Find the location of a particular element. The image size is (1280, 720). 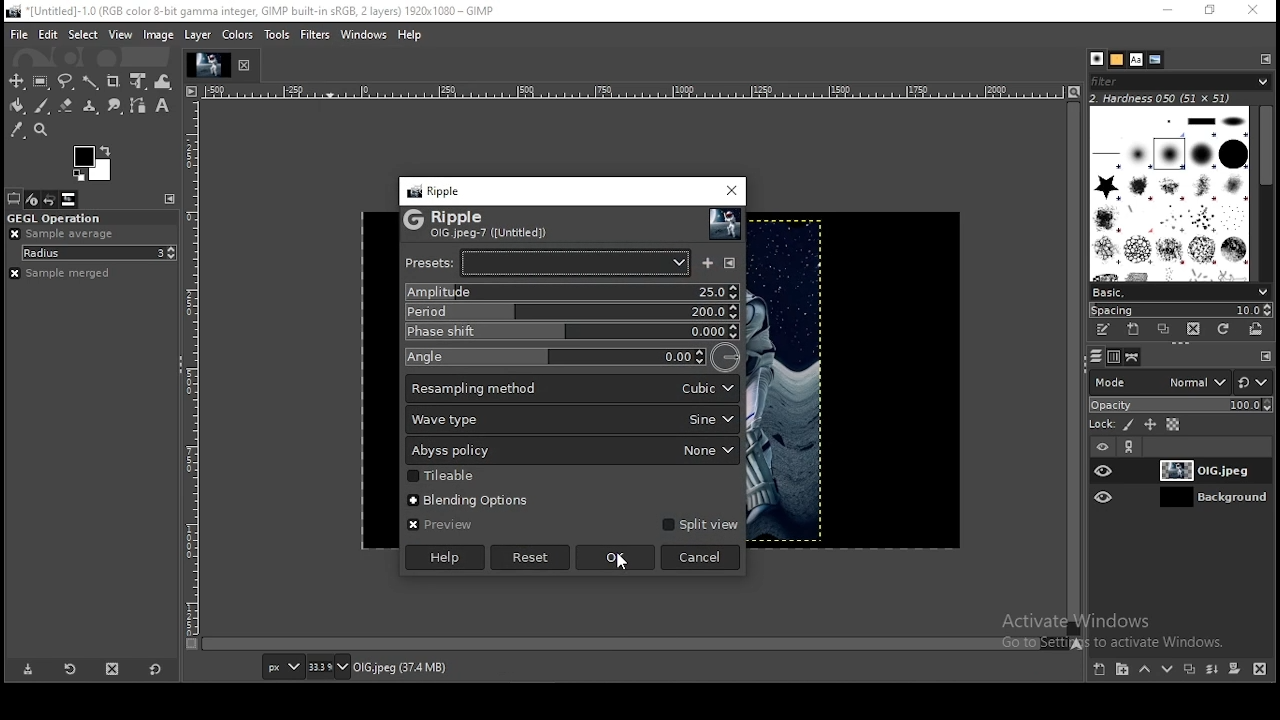

spacing is located at coordinates (1181, 310).